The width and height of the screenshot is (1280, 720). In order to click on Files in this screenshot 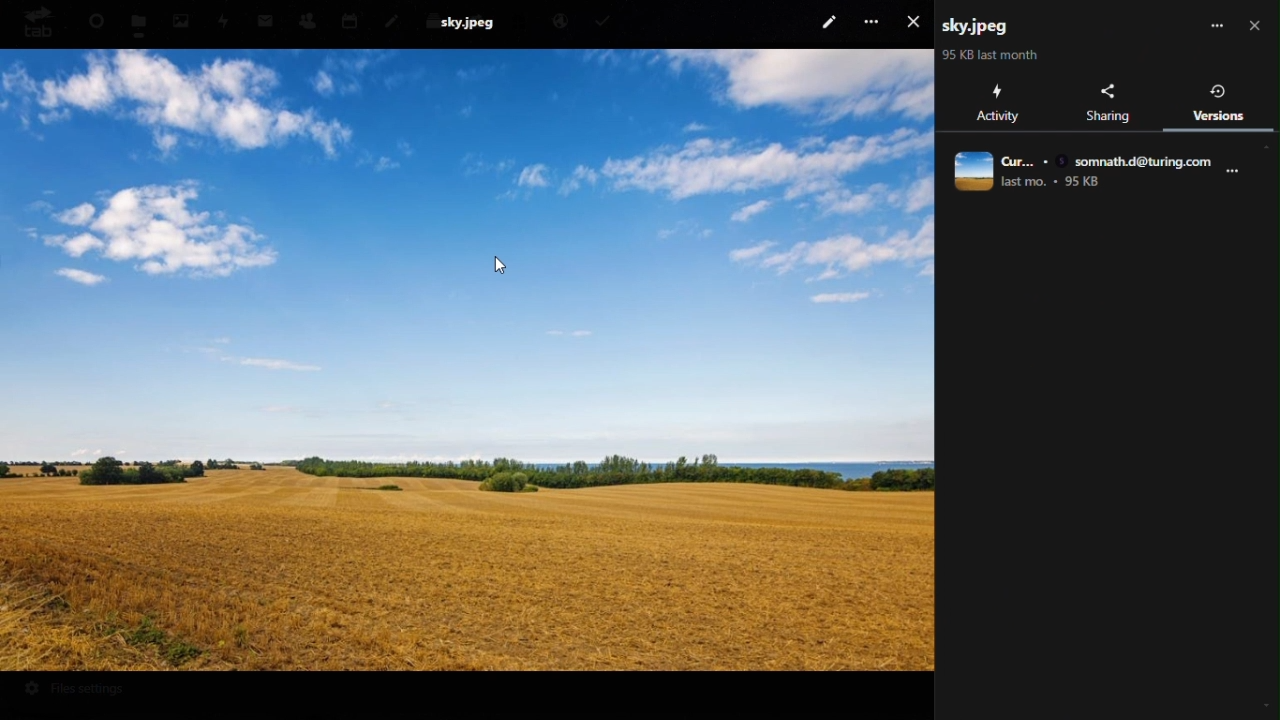, I will do `click(141, 22)`.